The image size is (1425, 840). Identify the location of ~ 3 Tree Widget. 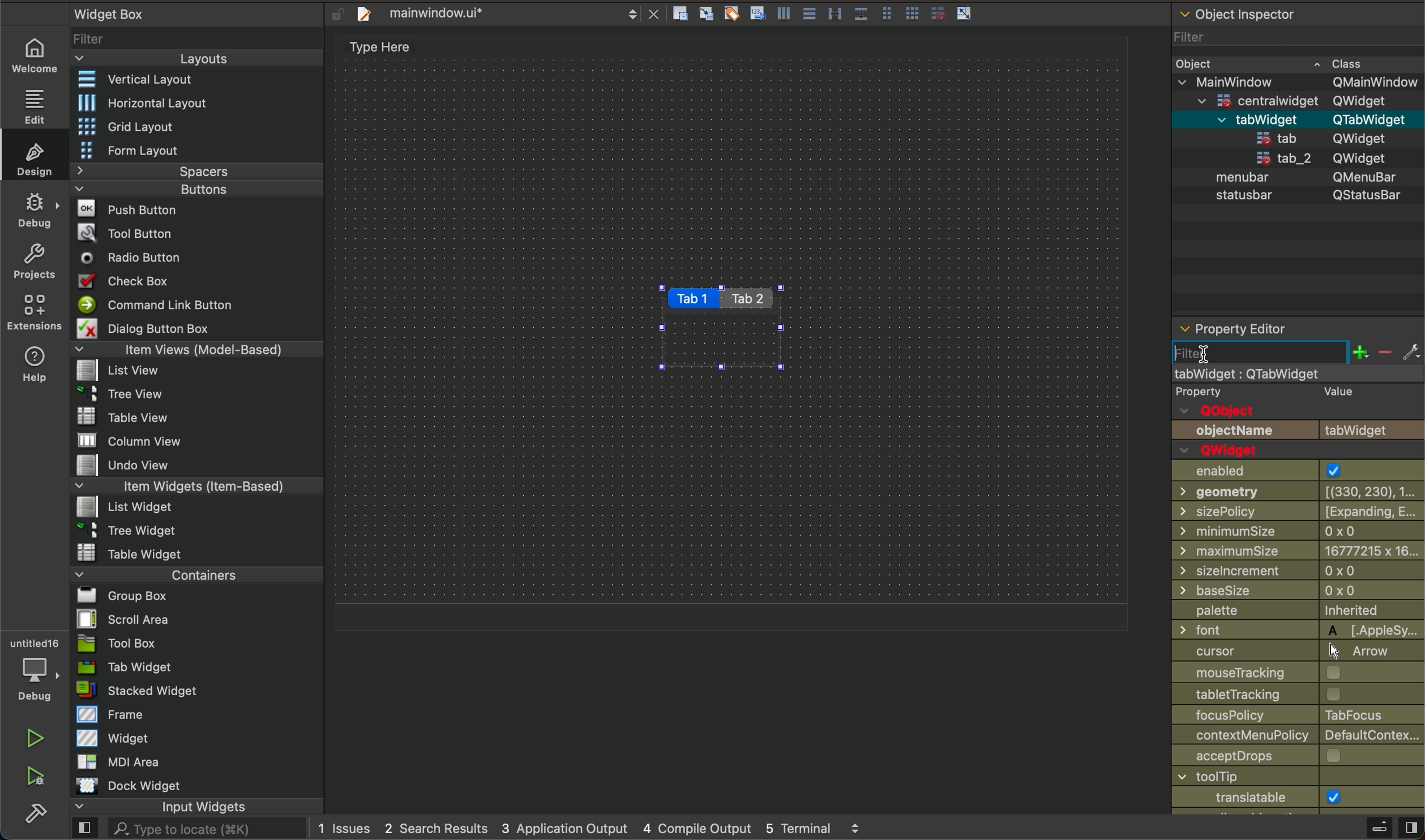
(119, 530).